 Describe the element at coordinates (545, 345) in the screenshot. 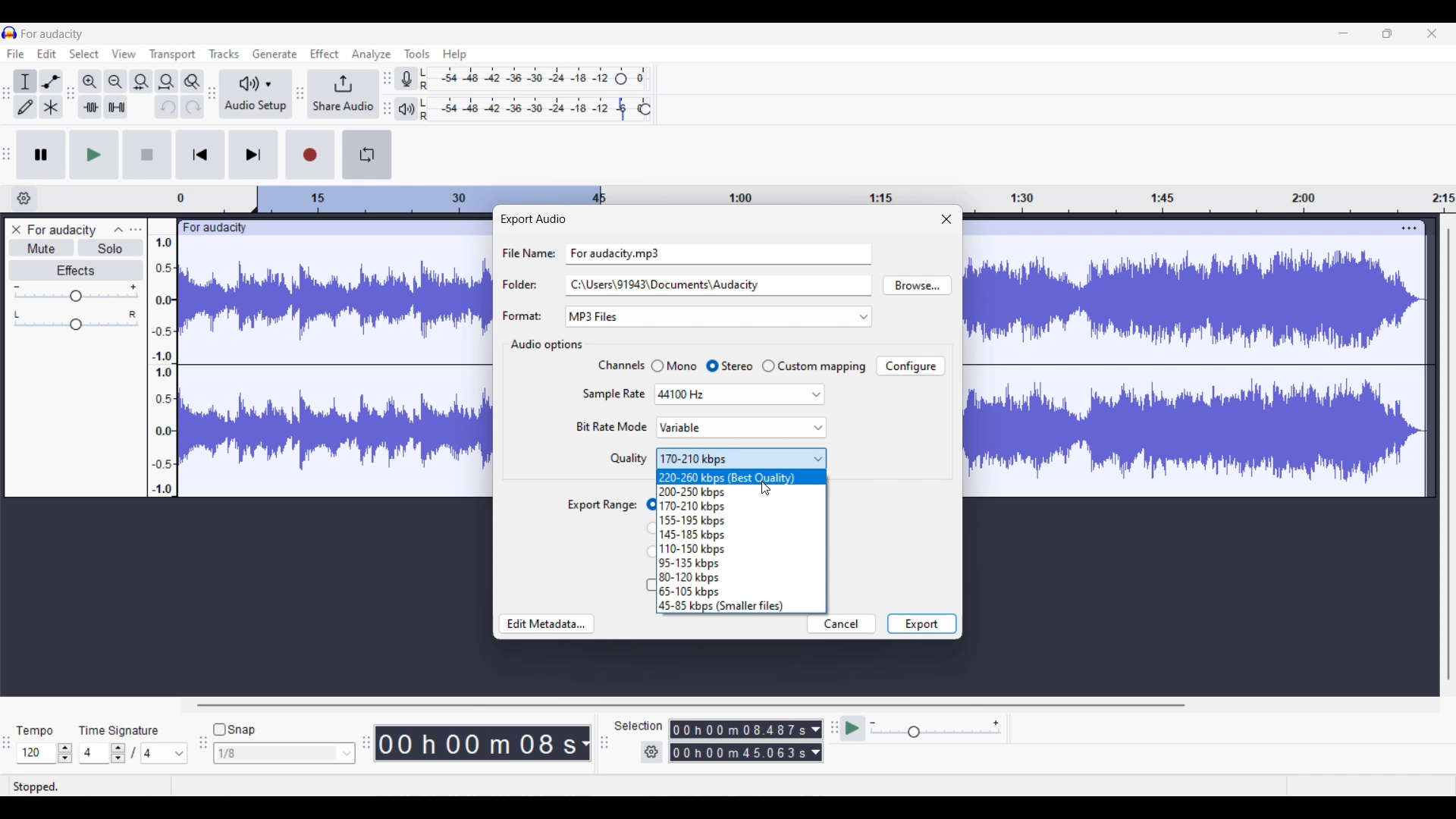

I see `Section title` at that location.